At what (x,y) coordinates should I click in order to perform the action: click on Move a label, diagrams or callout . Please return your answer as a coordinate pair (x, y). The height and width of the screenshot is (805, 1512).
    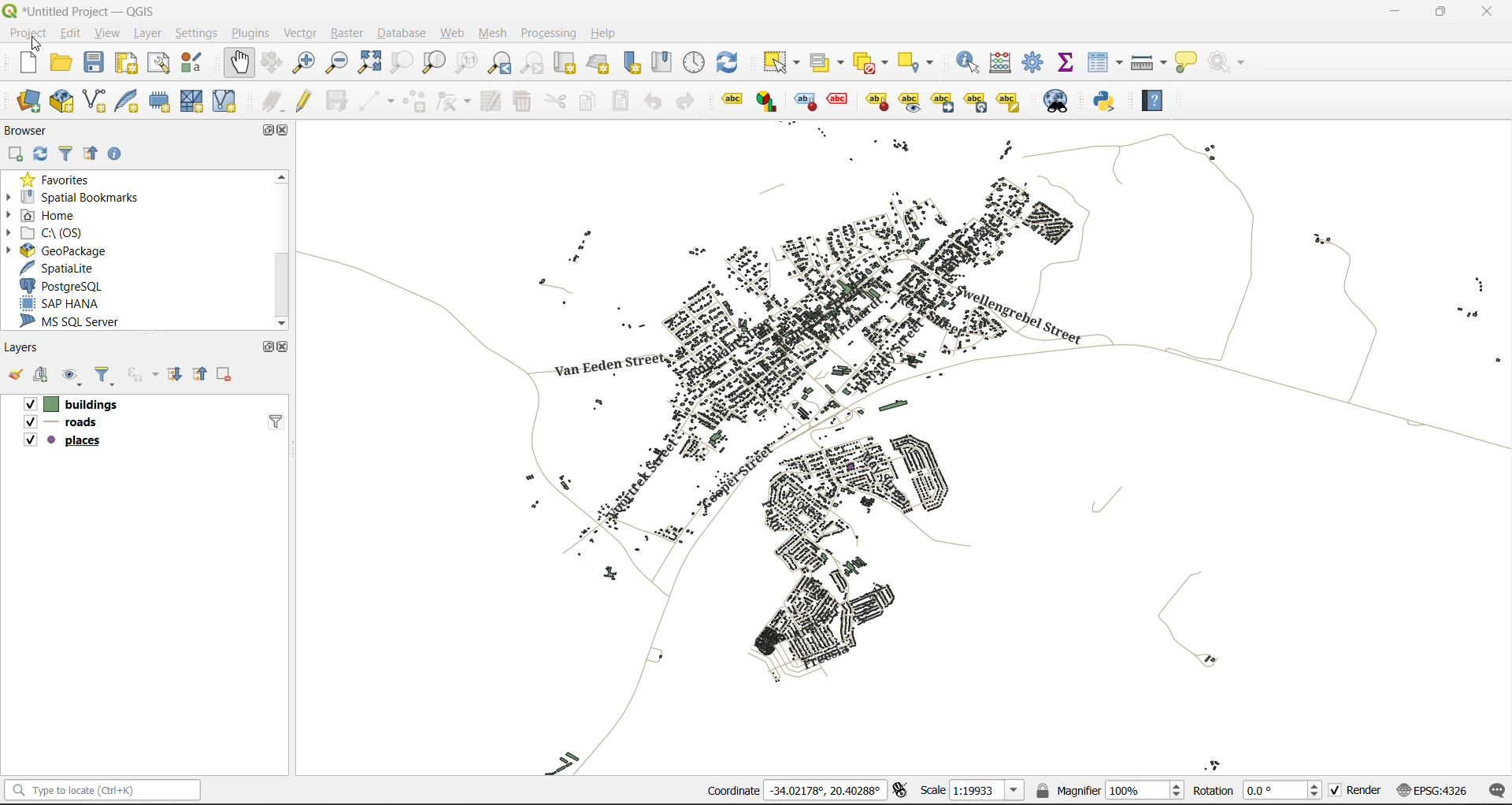
    Looking at the image, I should click on (910, 101).